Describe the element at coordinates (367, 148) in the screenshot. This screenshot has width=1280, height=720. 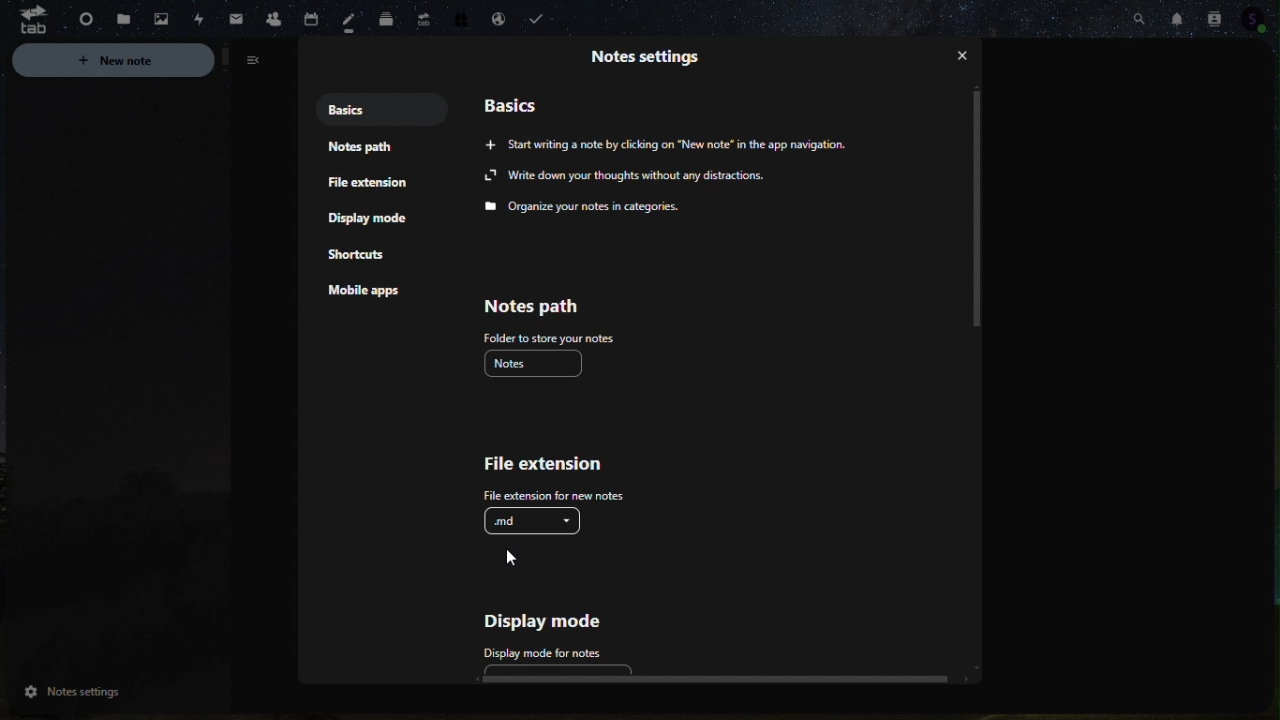
I see `notepad` at that location.